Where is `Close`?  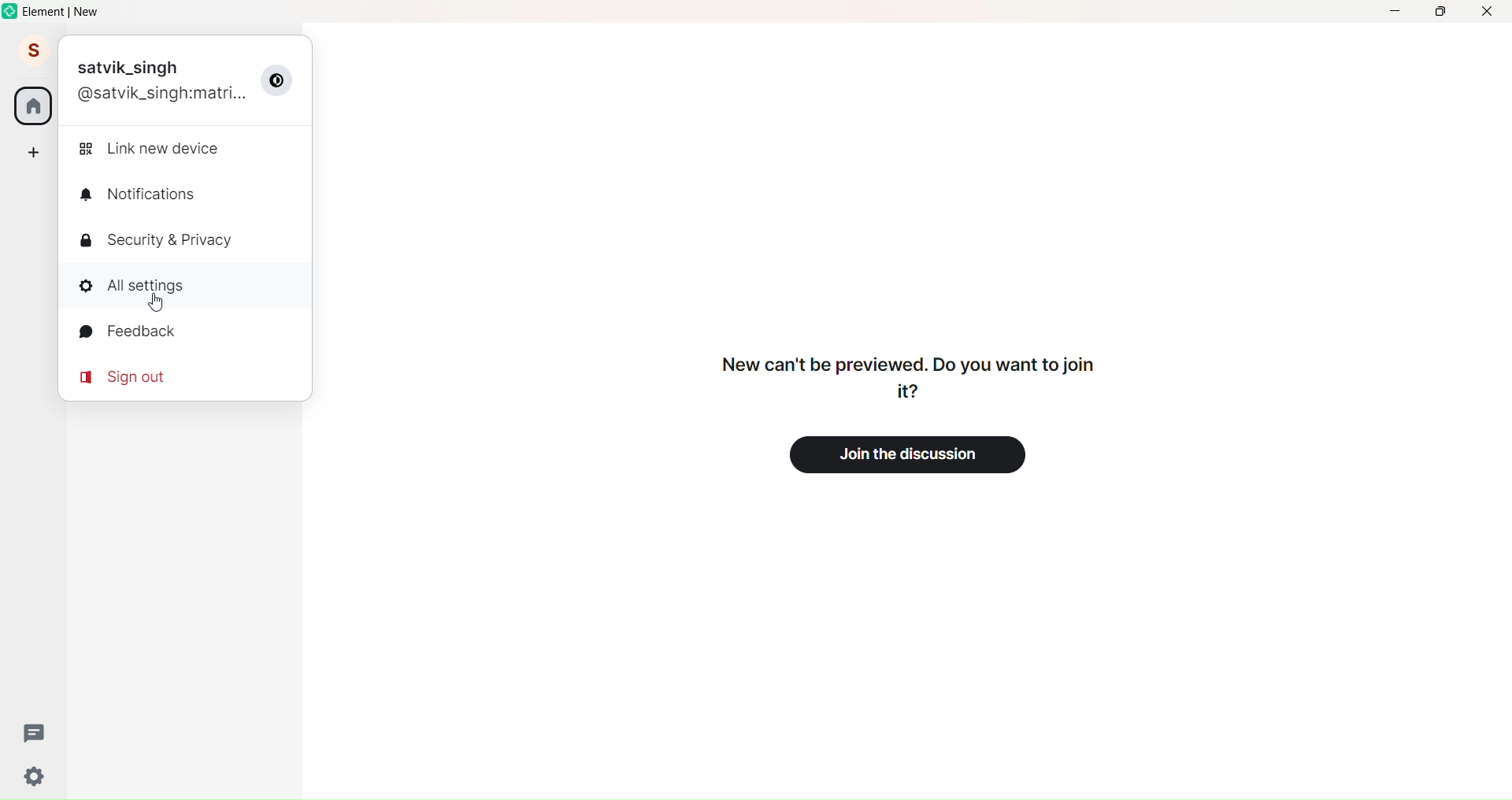
Close is located at coordinates (1488, 12).